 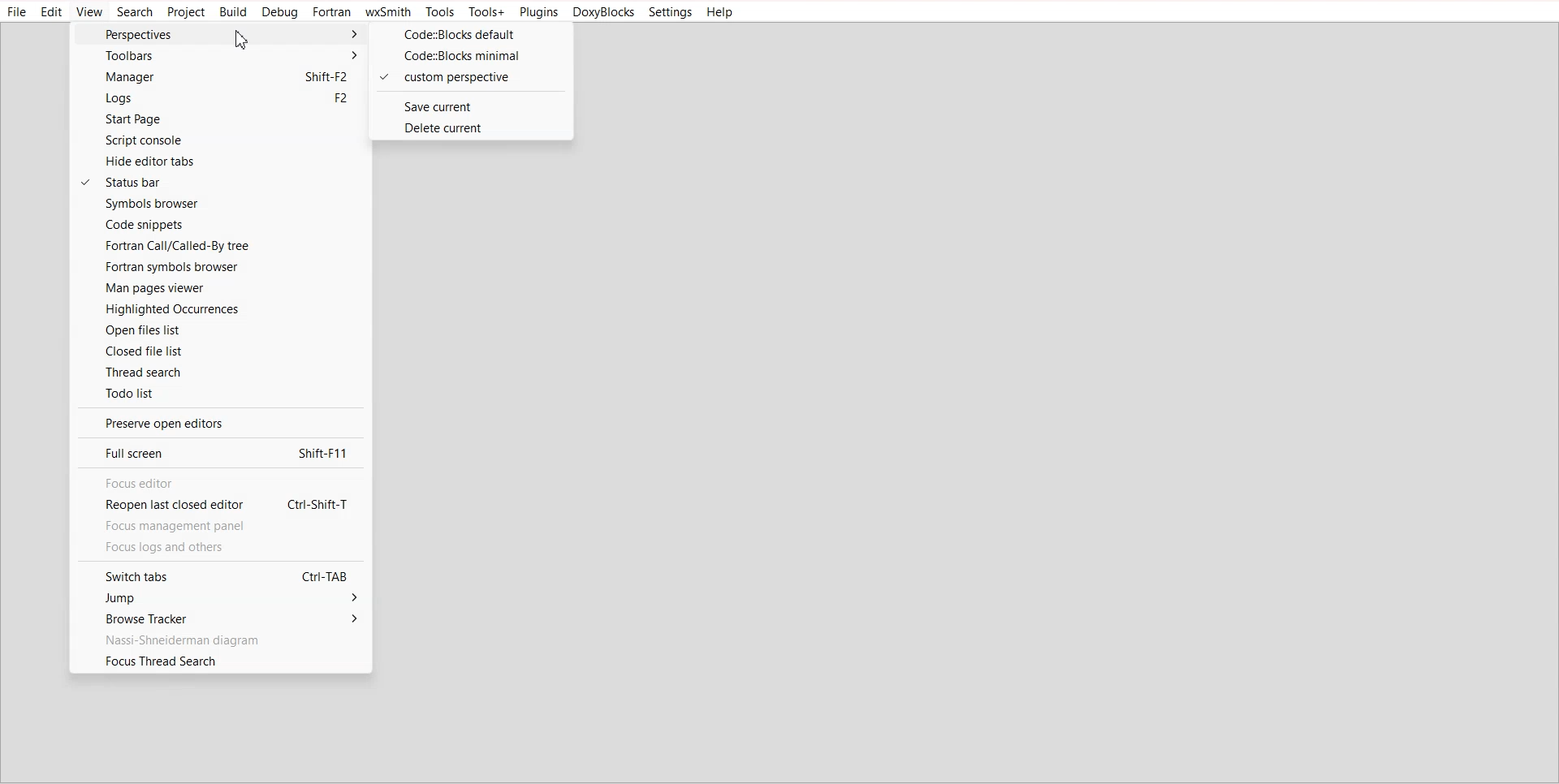 I want to click on Settings, so click(x=671, y=12).